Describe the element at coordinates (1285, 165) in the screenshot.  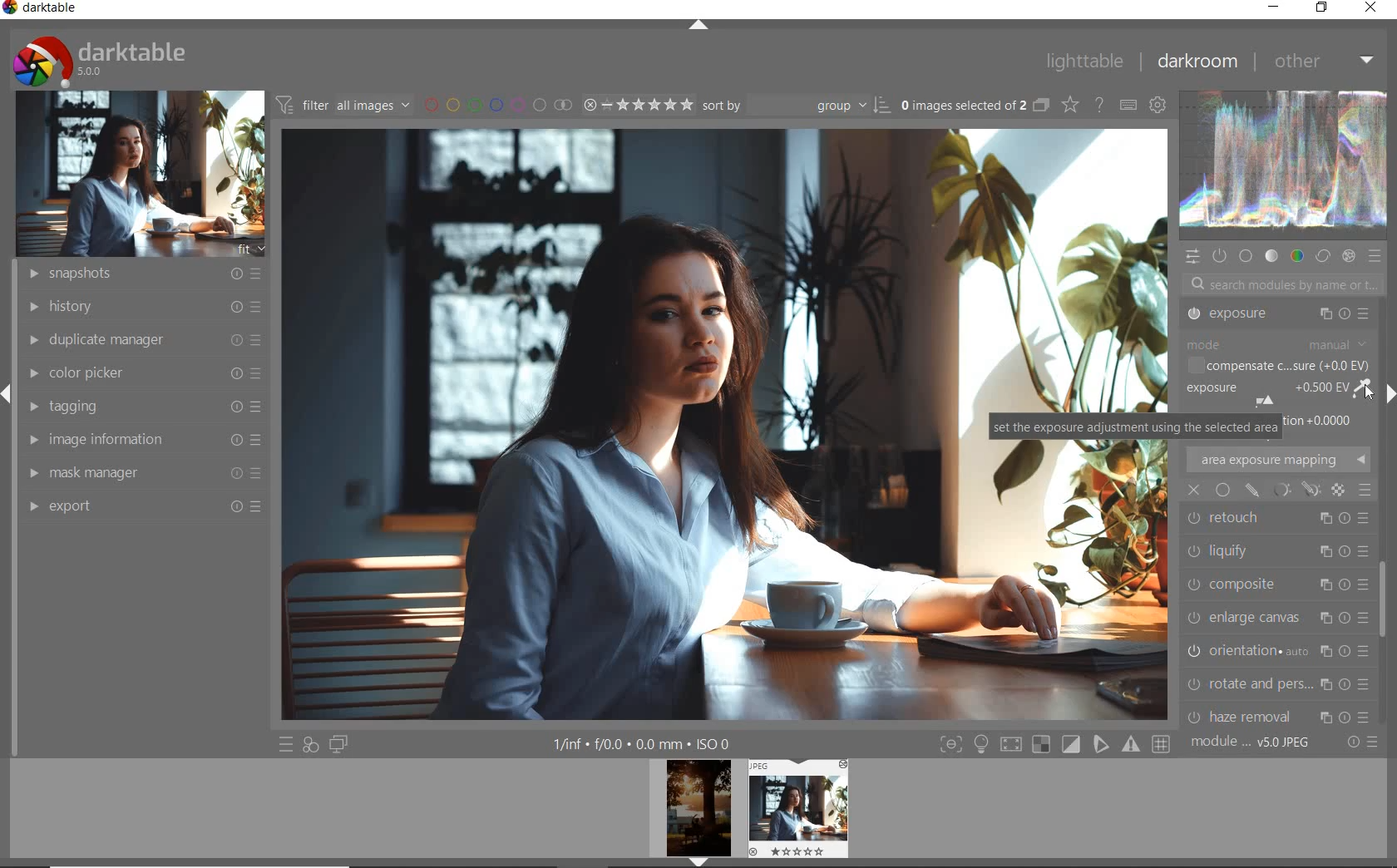
I see `WAVEFORM` at that location.